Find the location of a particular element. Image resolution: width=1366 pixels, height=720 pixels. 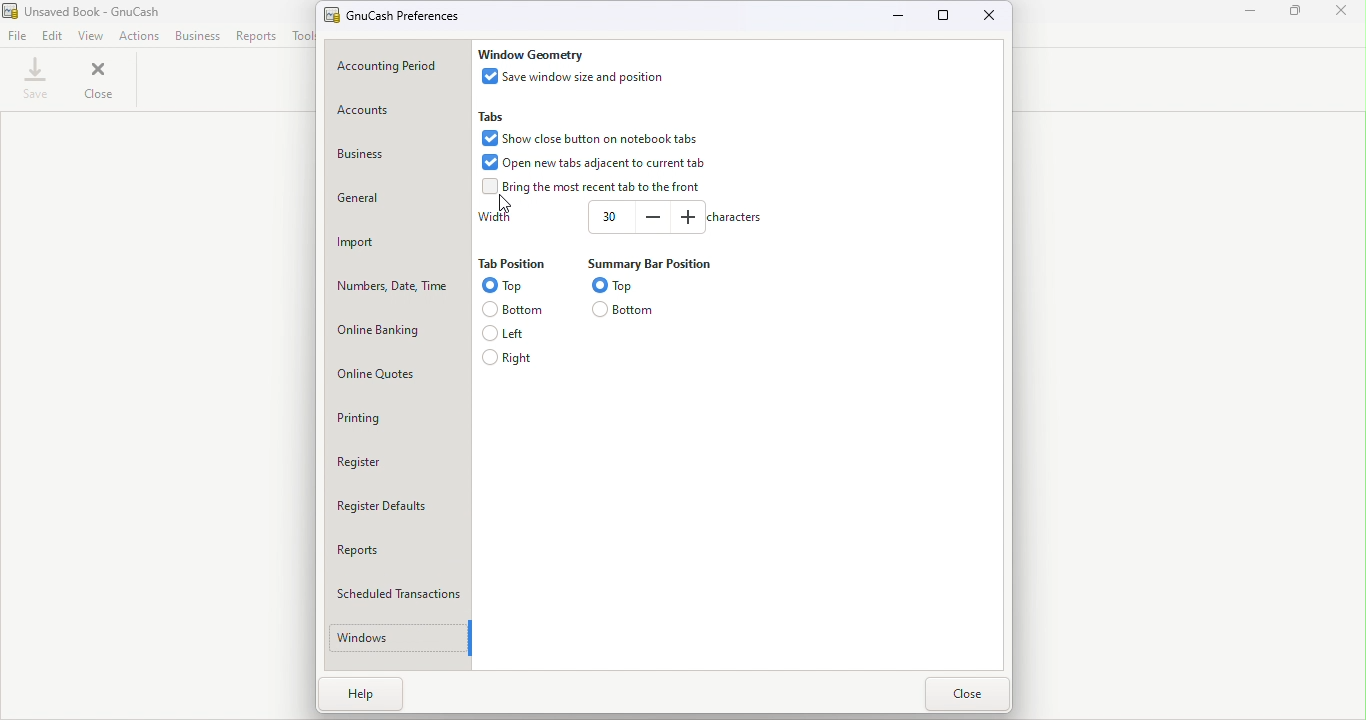

Right  is located at coordinates (509, 357).